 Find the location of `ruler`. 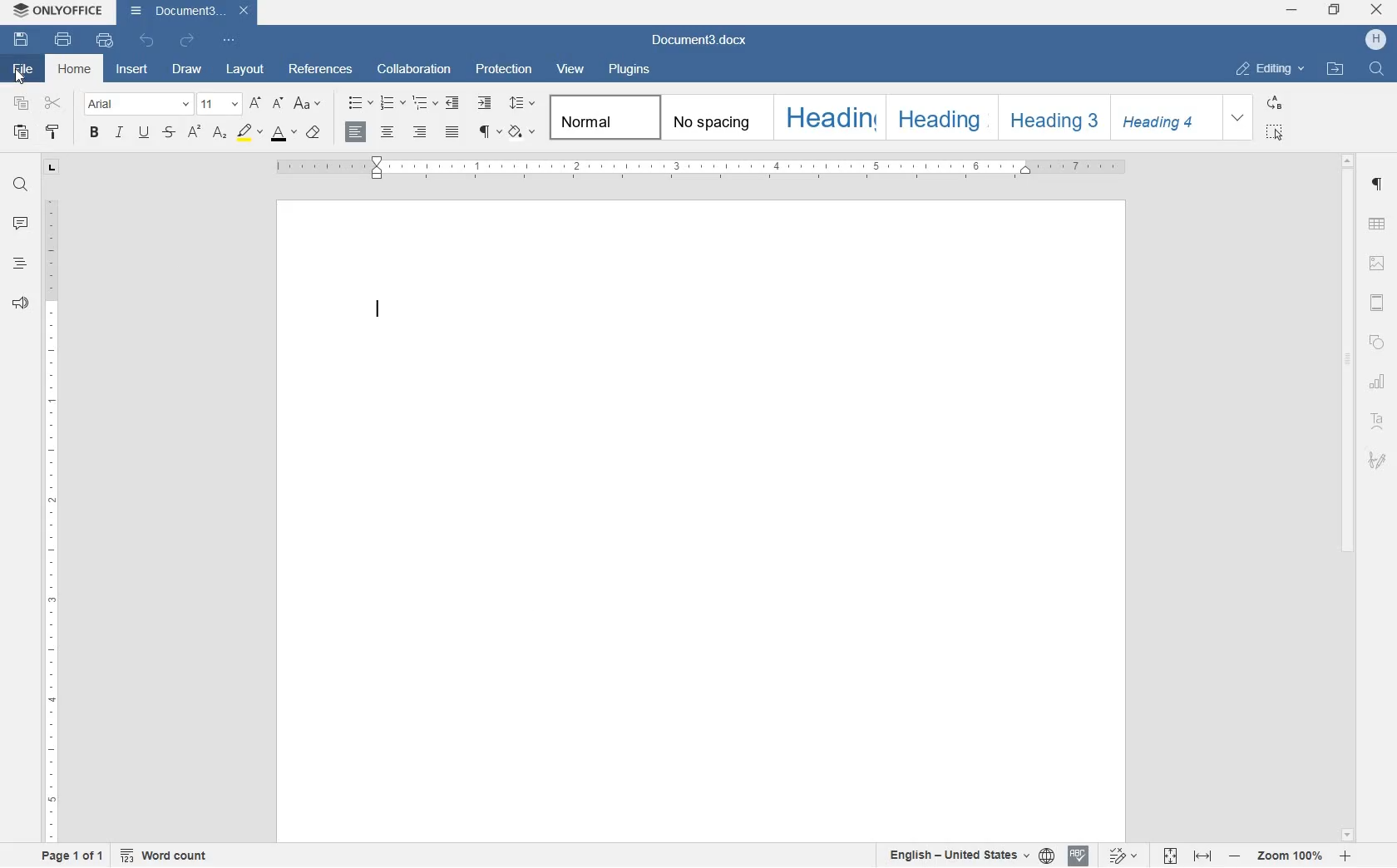

ruler is located at coordinates (708, 169).